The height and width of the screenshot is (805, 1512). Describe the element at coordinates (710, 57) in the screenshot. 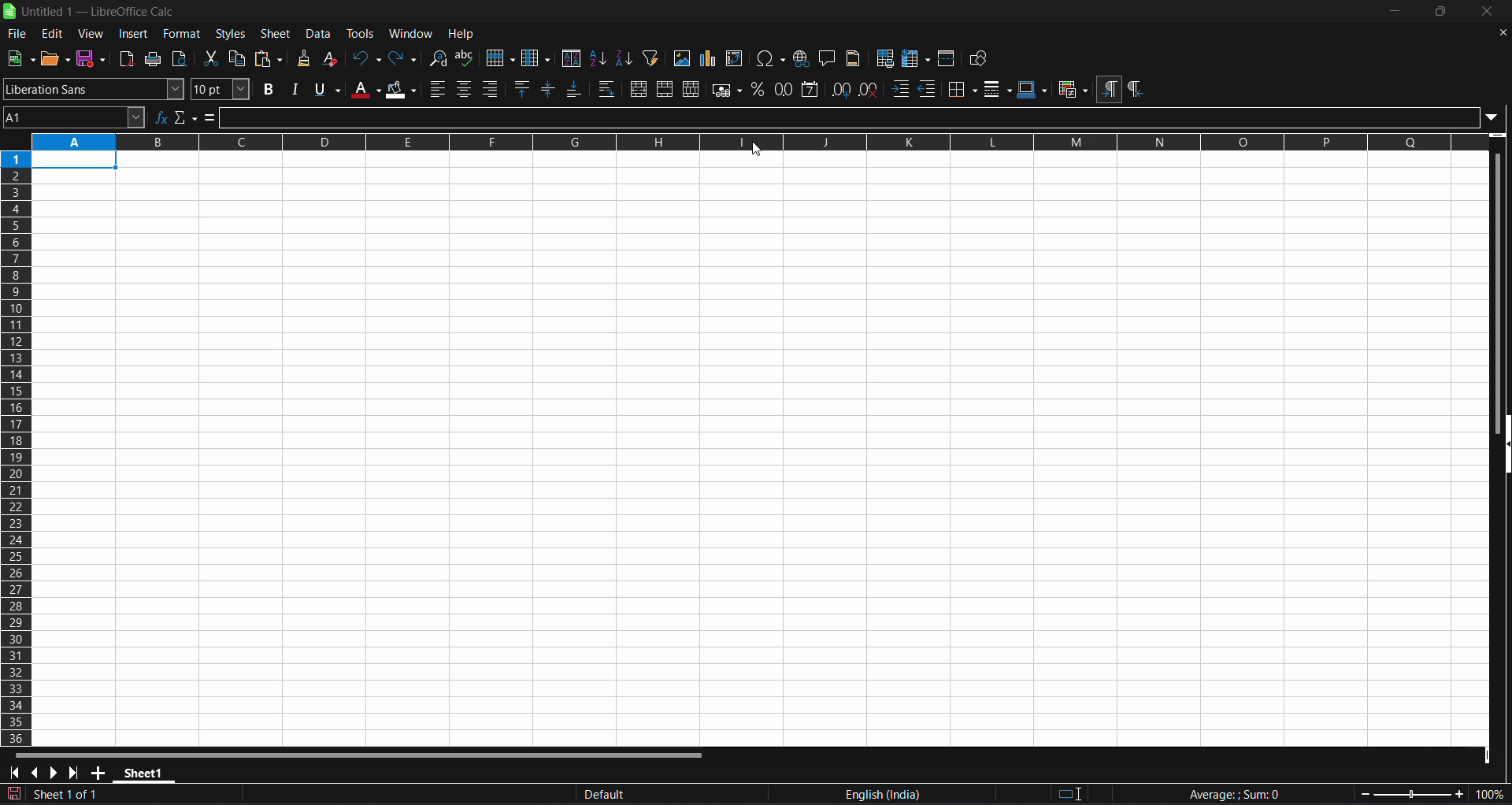

I see `insert chart` at that location.